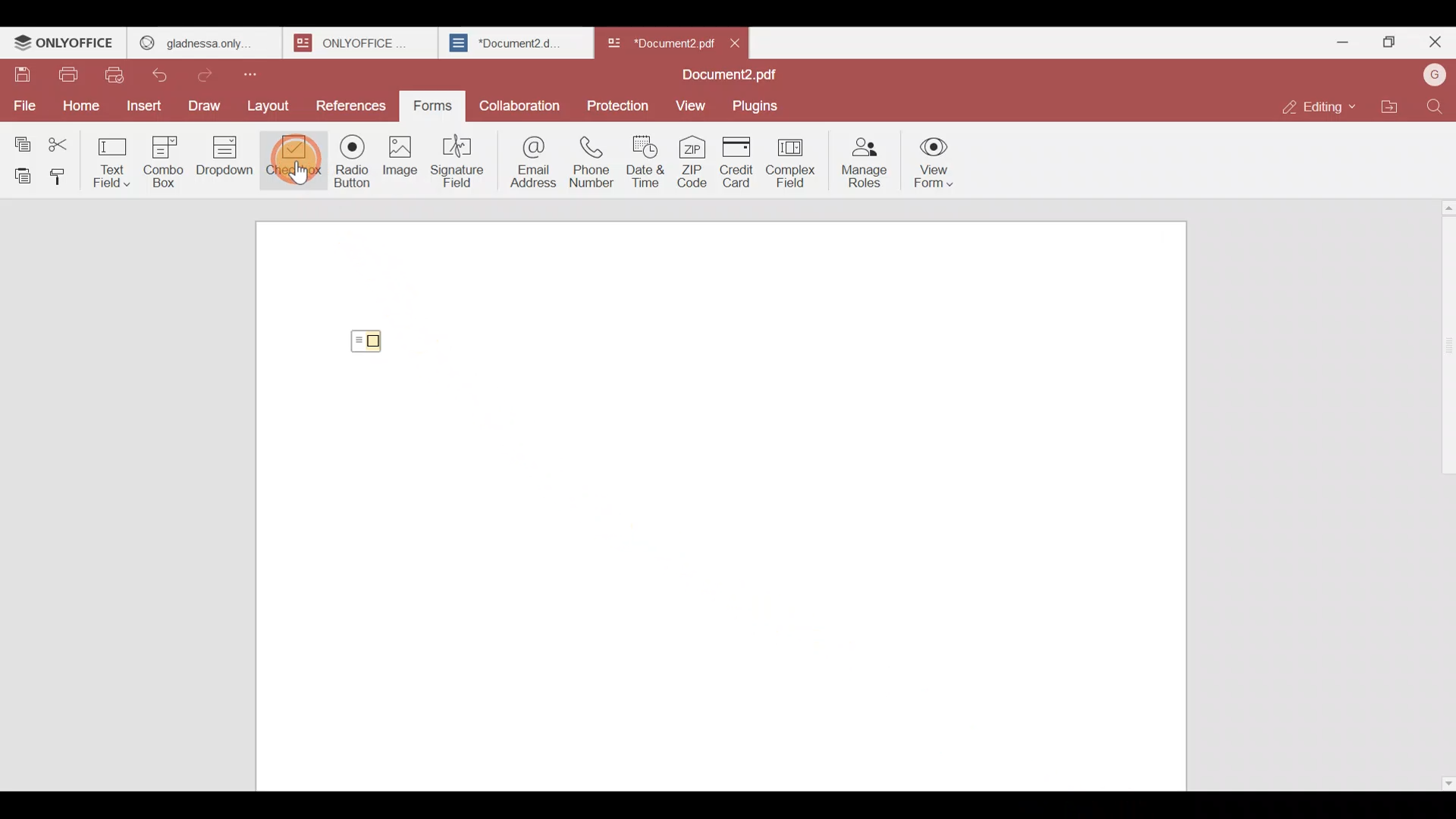 The image size is (1456, 819). I want to click on Copy, so click(20, 140).